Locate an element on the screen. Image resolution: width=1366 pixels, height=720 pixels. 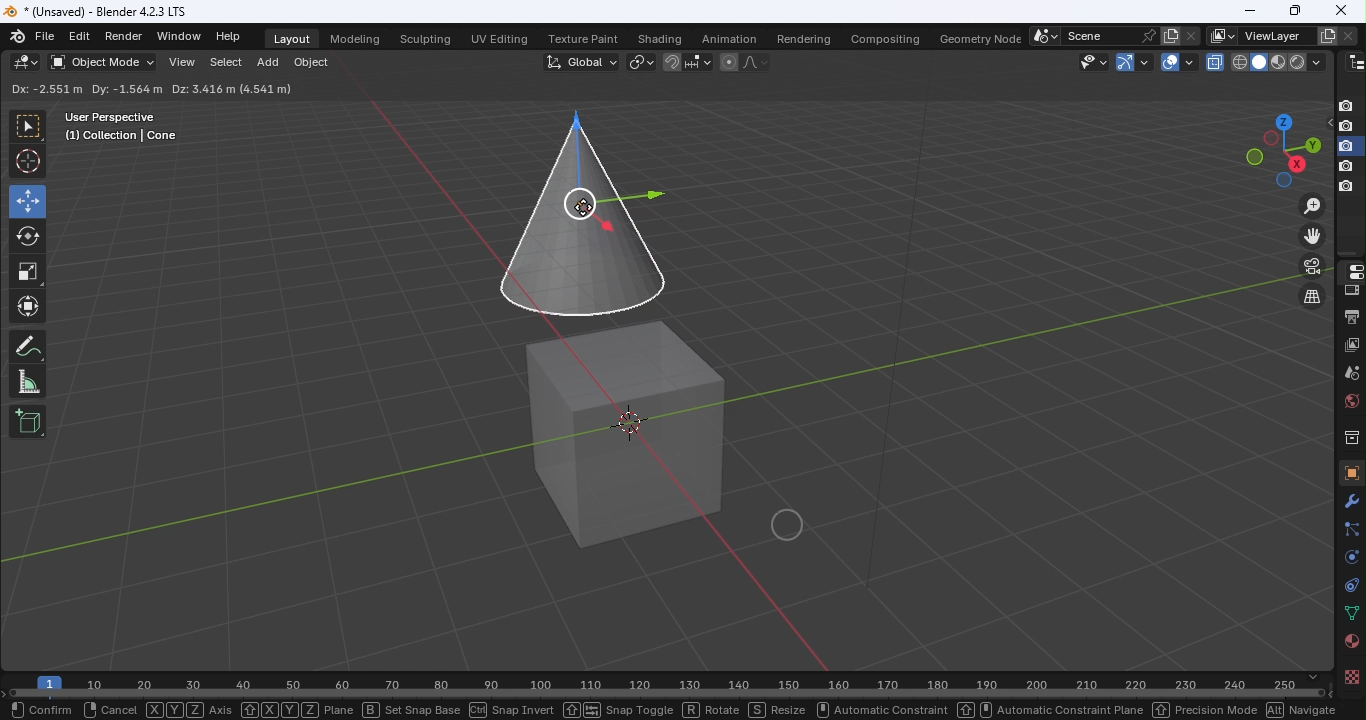
Workspace is located at coordinates (647, 389).